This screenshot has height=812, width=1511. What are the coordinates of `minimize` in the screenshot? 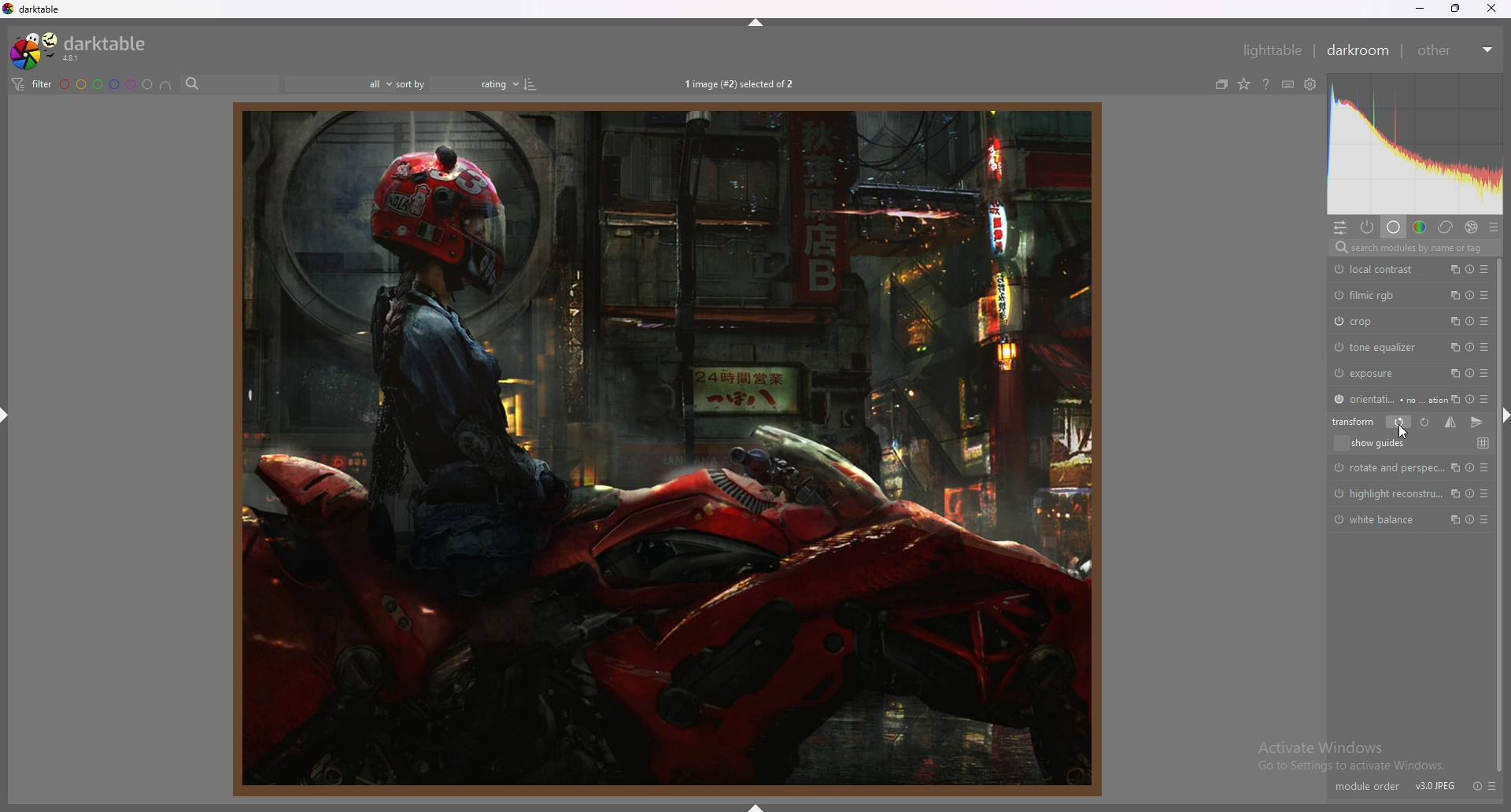 It's located at (1422, 9).